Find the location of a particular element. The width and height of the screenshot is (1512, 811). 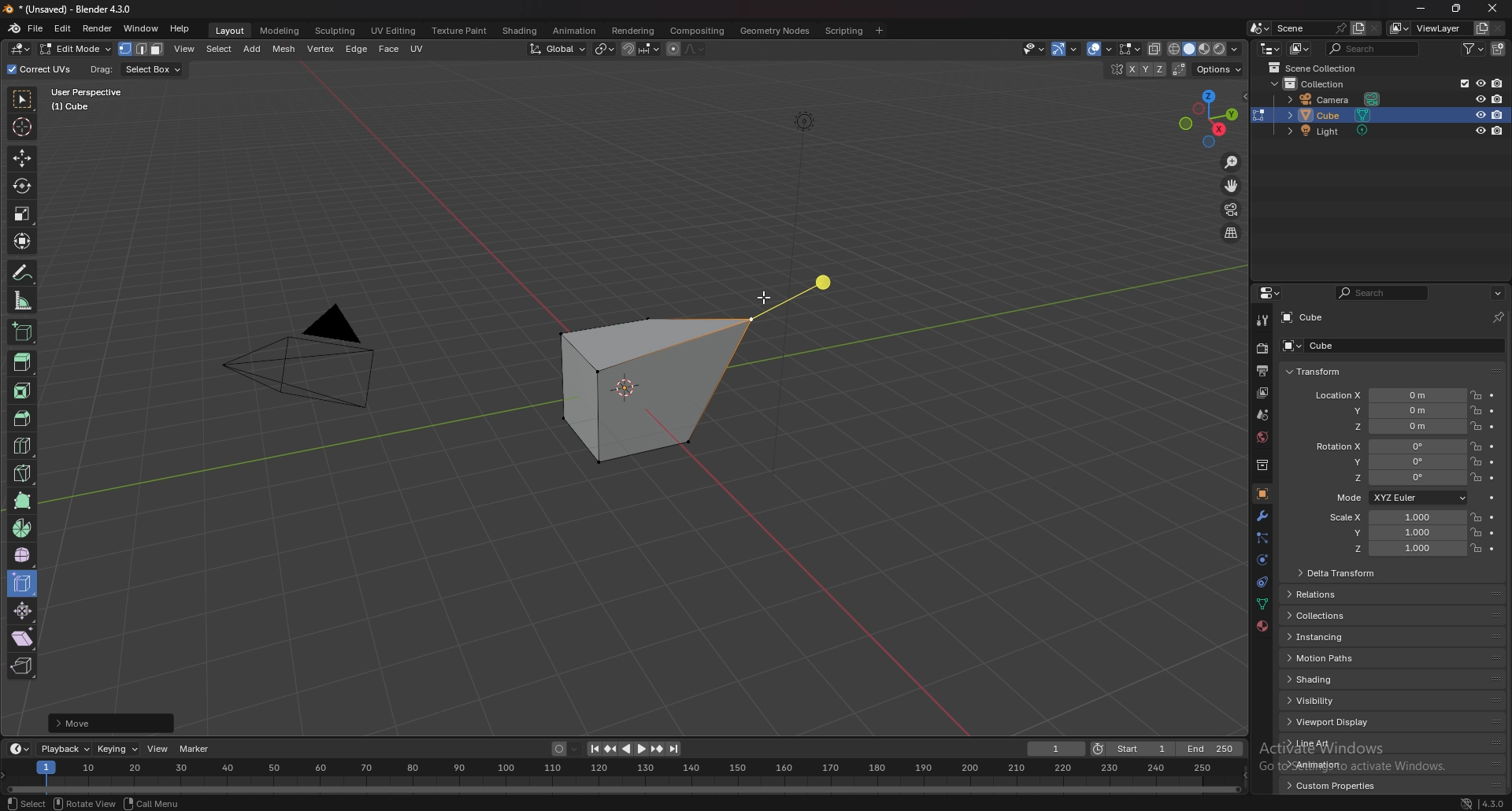

cube is located at coordinates (1303, 317).